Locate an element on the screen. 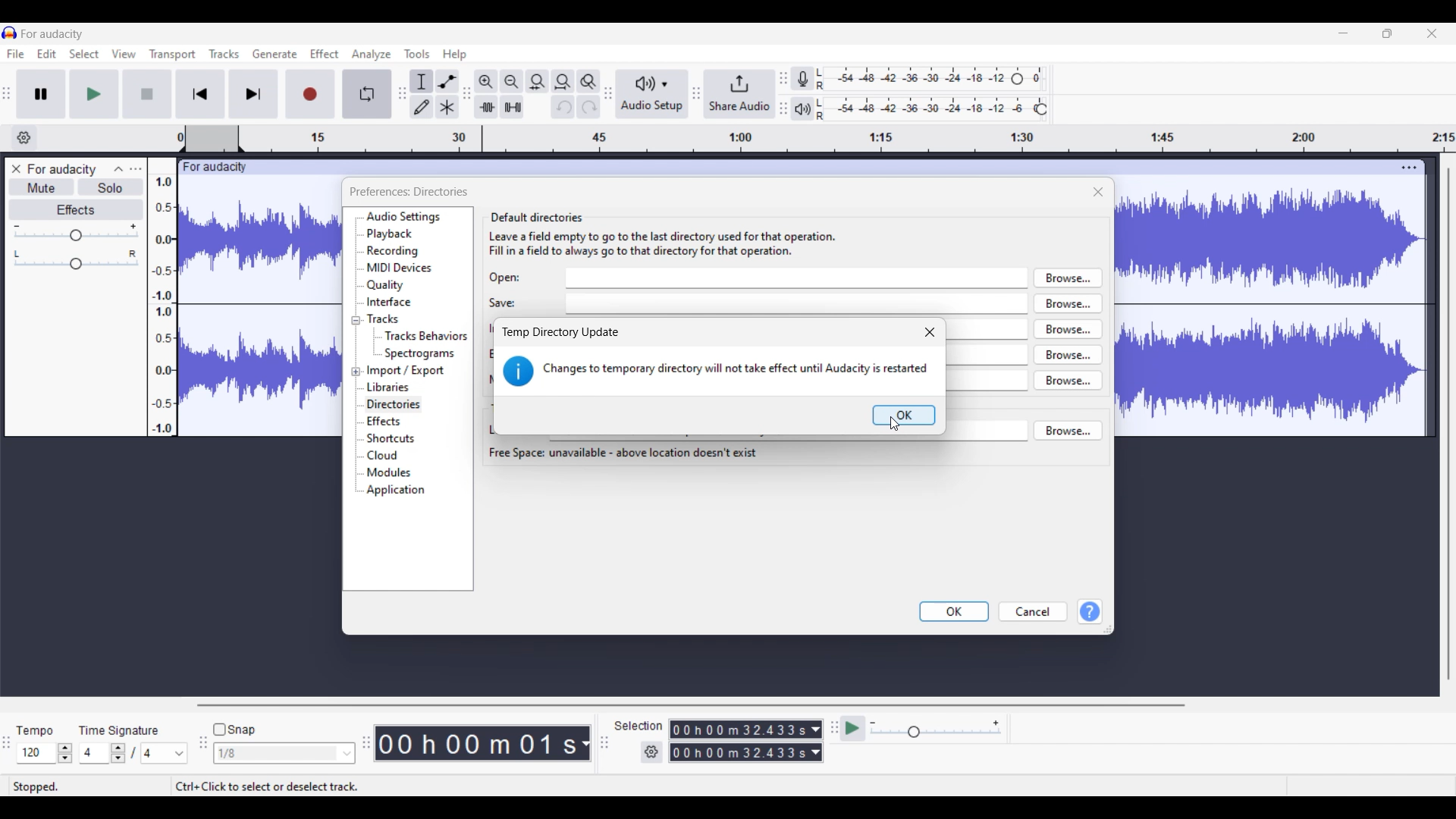 This screenshot has width=1456, height=819. Select menu is located at coordinates (84, 54).